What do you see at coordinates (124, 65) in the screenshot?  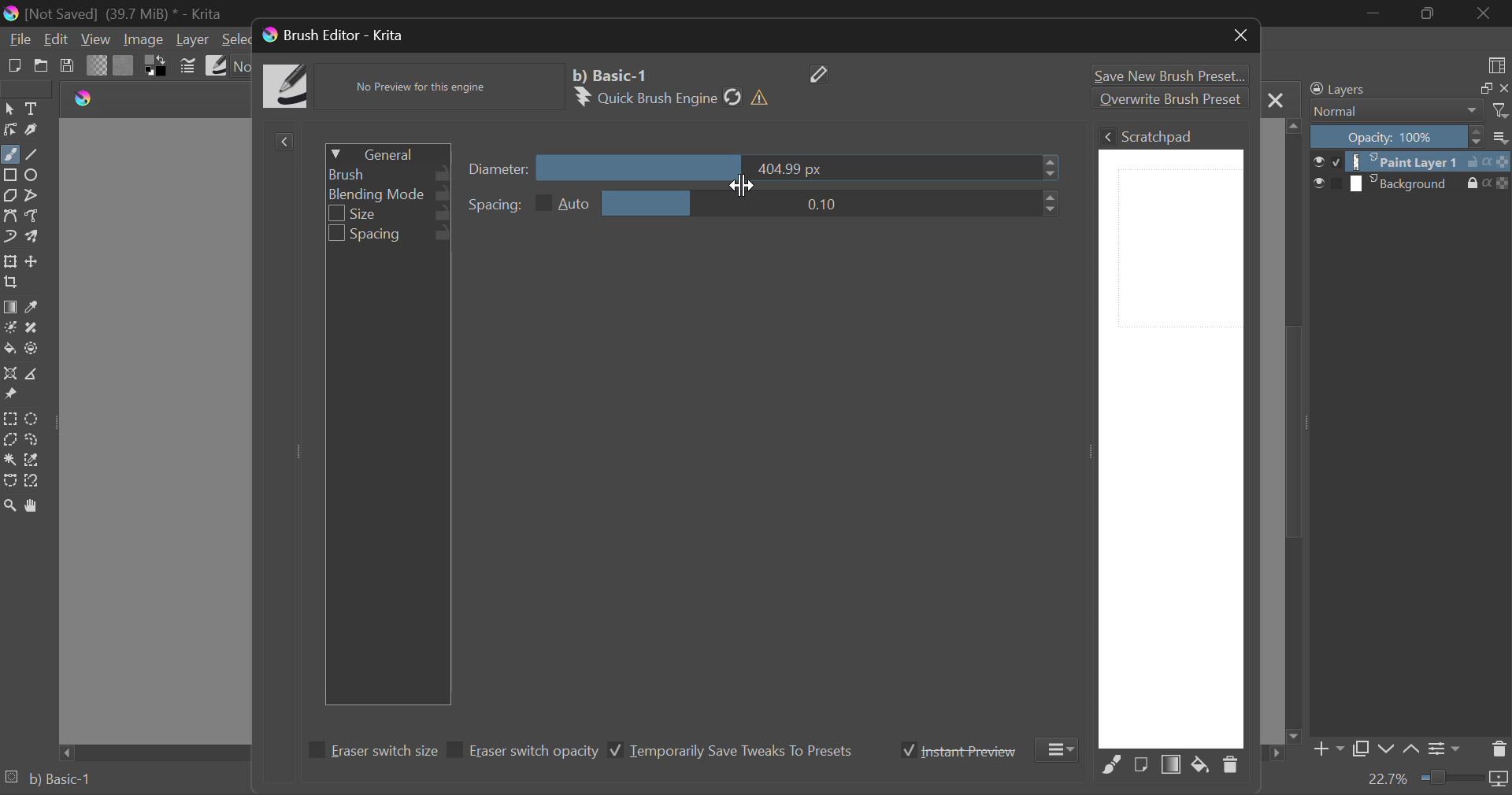 I see `Pattern` at bounding box center [124, 65].